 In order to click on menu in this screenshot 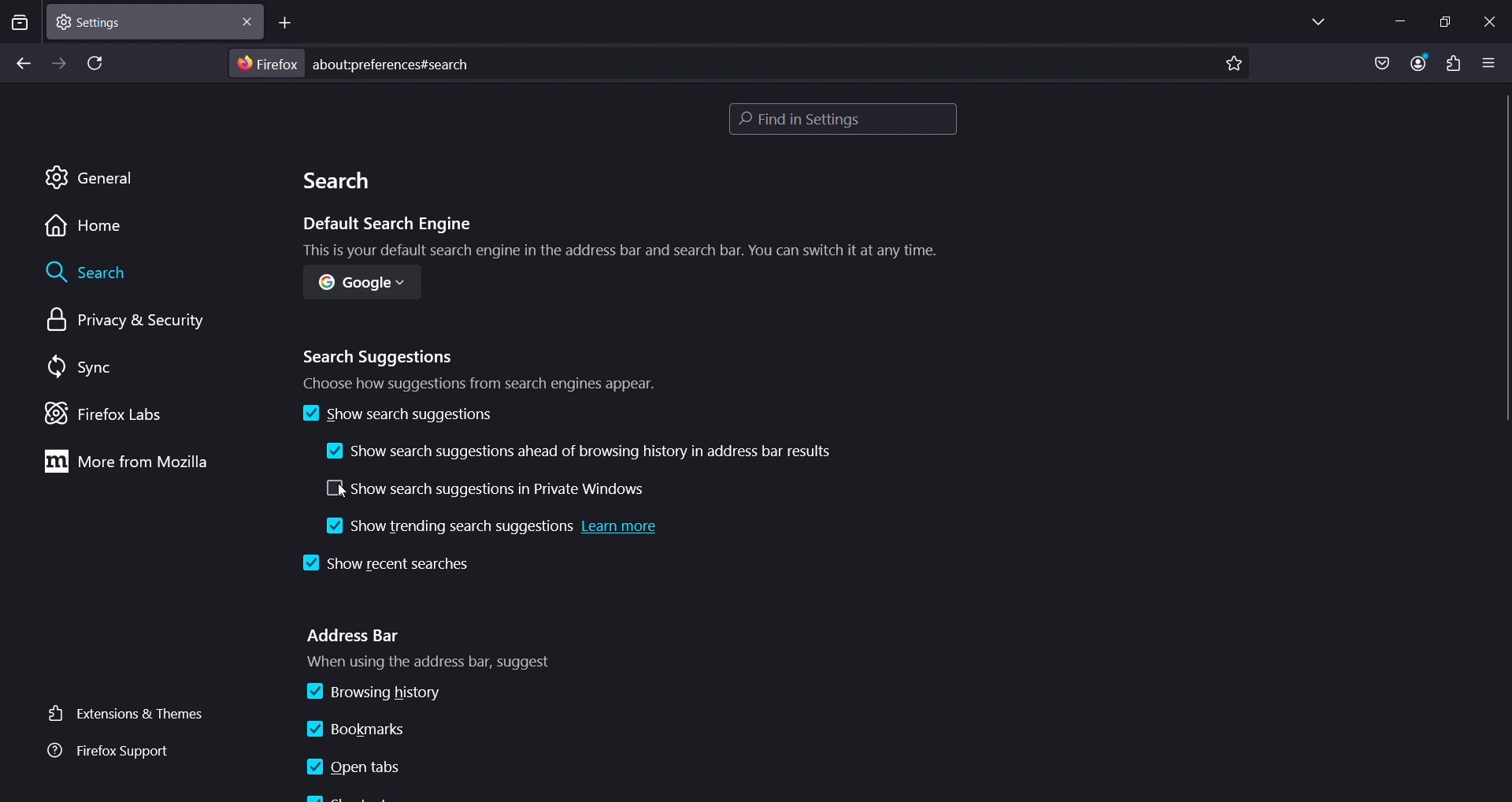, I will do `click(1452, 64)`.